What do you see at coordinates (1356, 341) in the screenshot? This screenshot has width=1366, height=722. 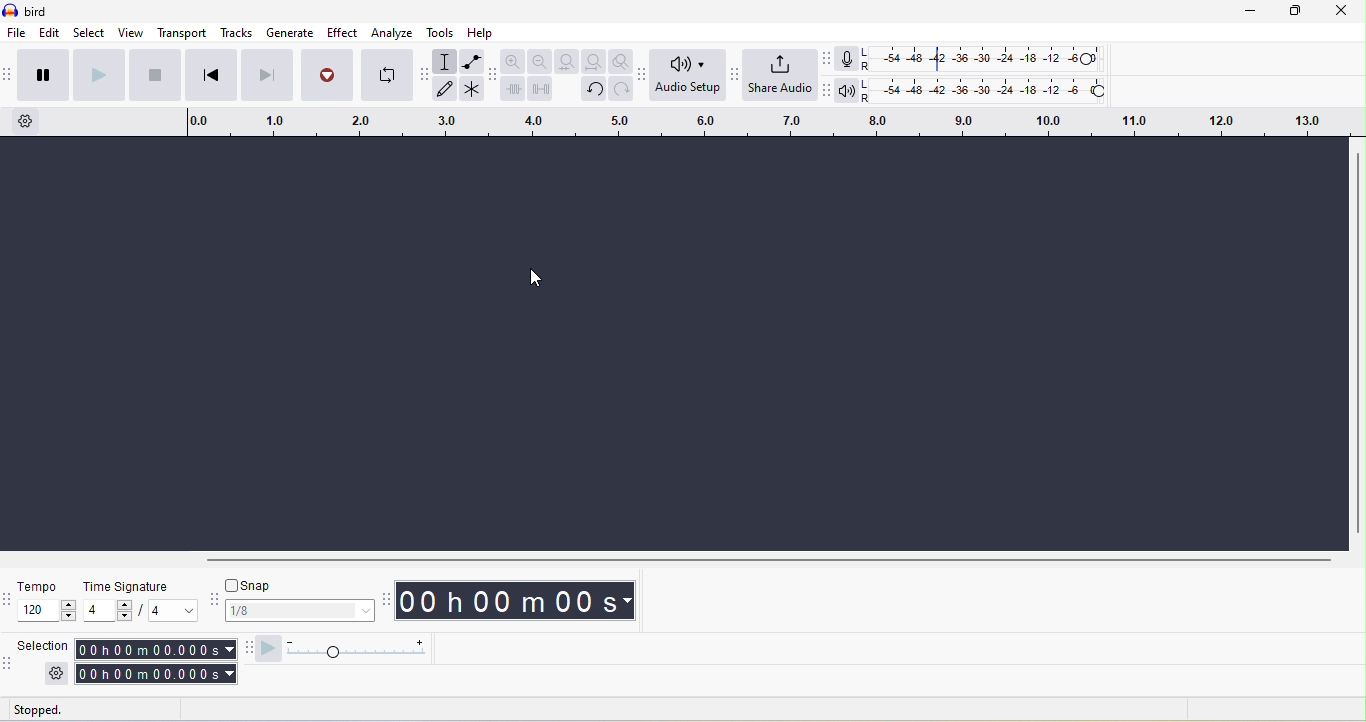 I see `vertical scroll bar` at bounding box center [1356, 341].